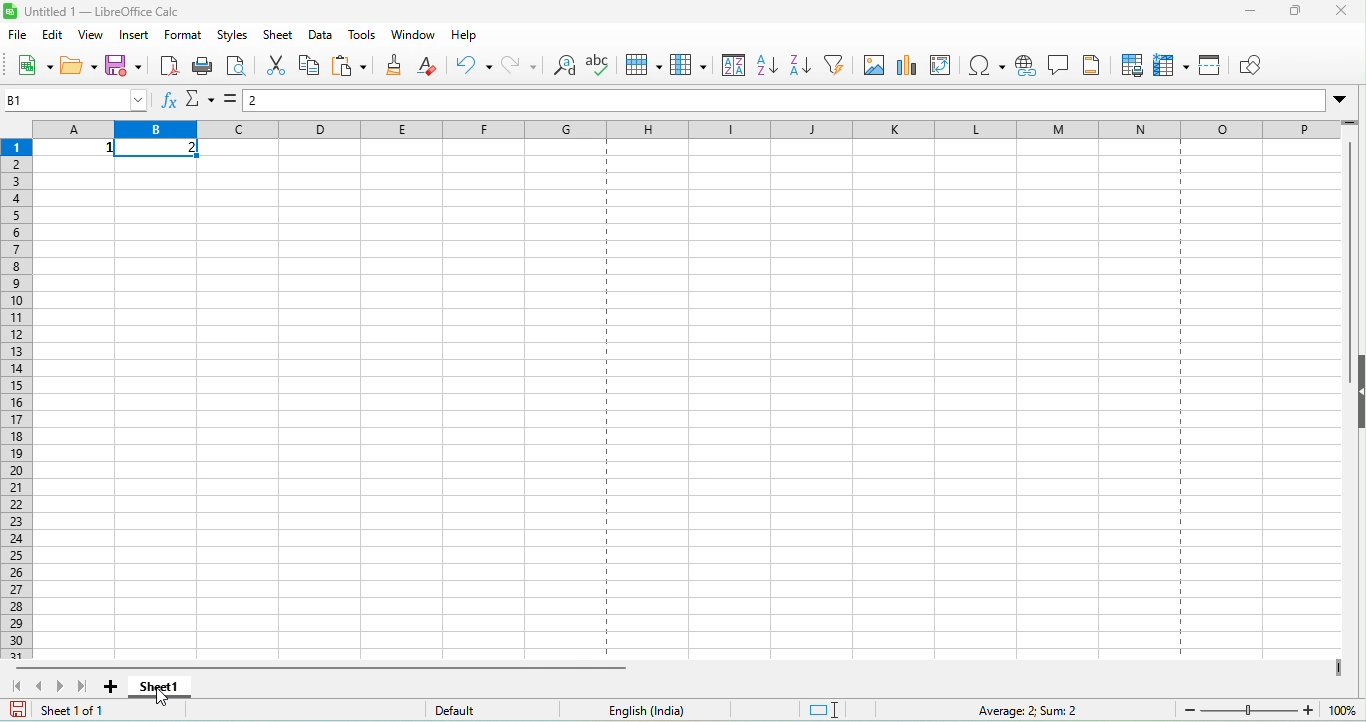 This screenshot has height=722, width=1366. What do you see at coordinates (15, 685) in the screenshot?
I see `scroll to first sheet` at bounding box center [15, 685].